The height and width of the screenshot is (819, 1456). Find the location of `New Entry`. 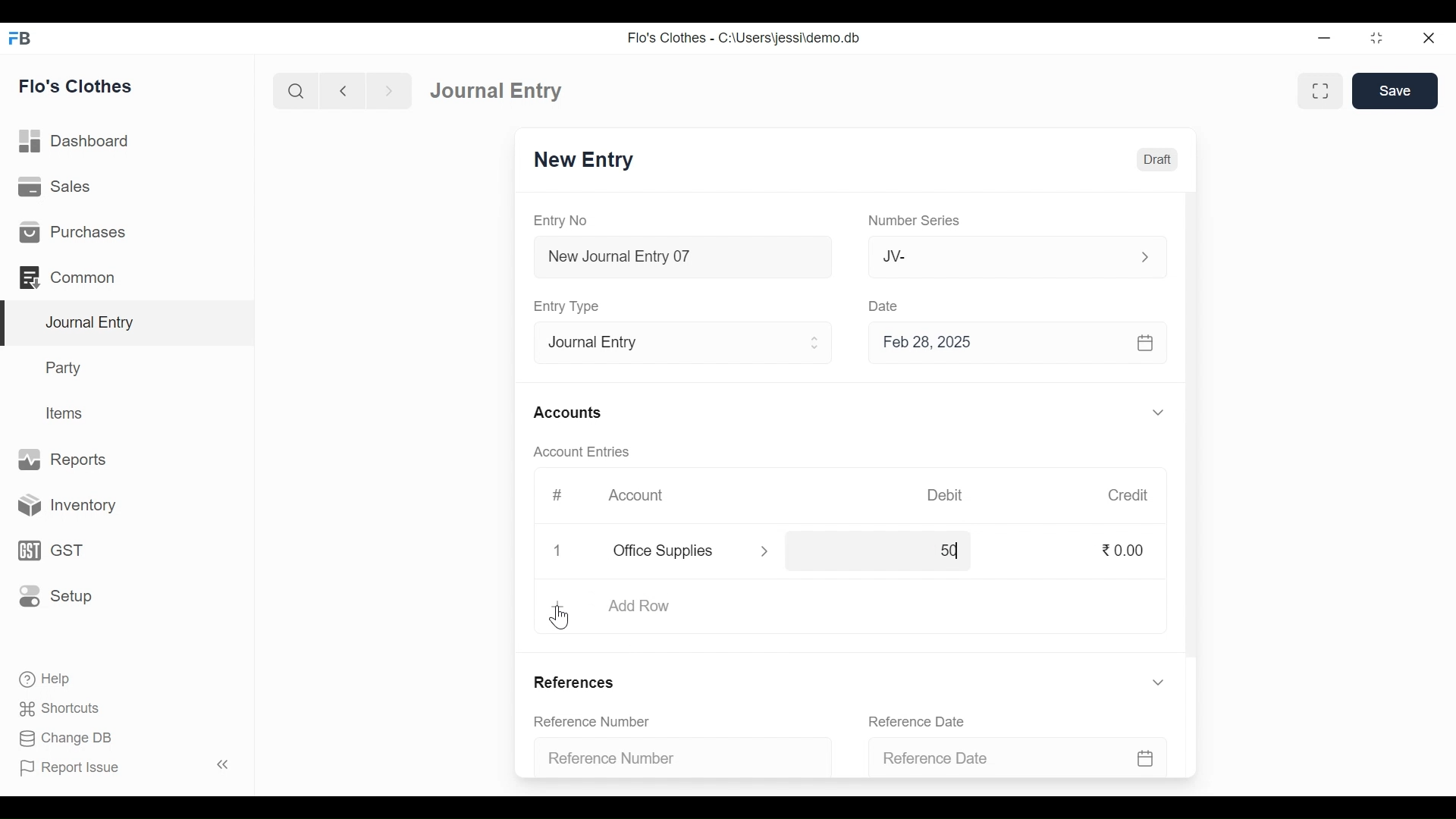

New Entry is located at coordinates (588, 160).